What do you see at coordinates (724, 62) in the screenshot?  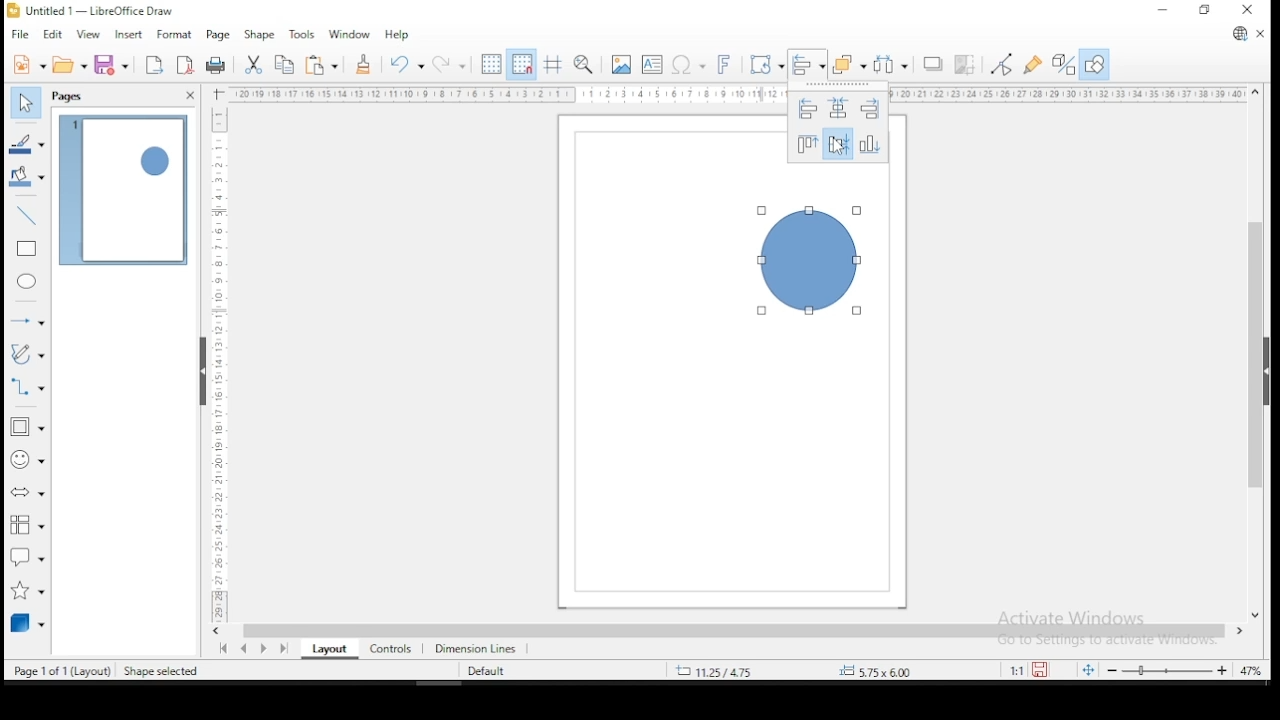 I see `insert fontwork text` at bounding box center [724, 62].